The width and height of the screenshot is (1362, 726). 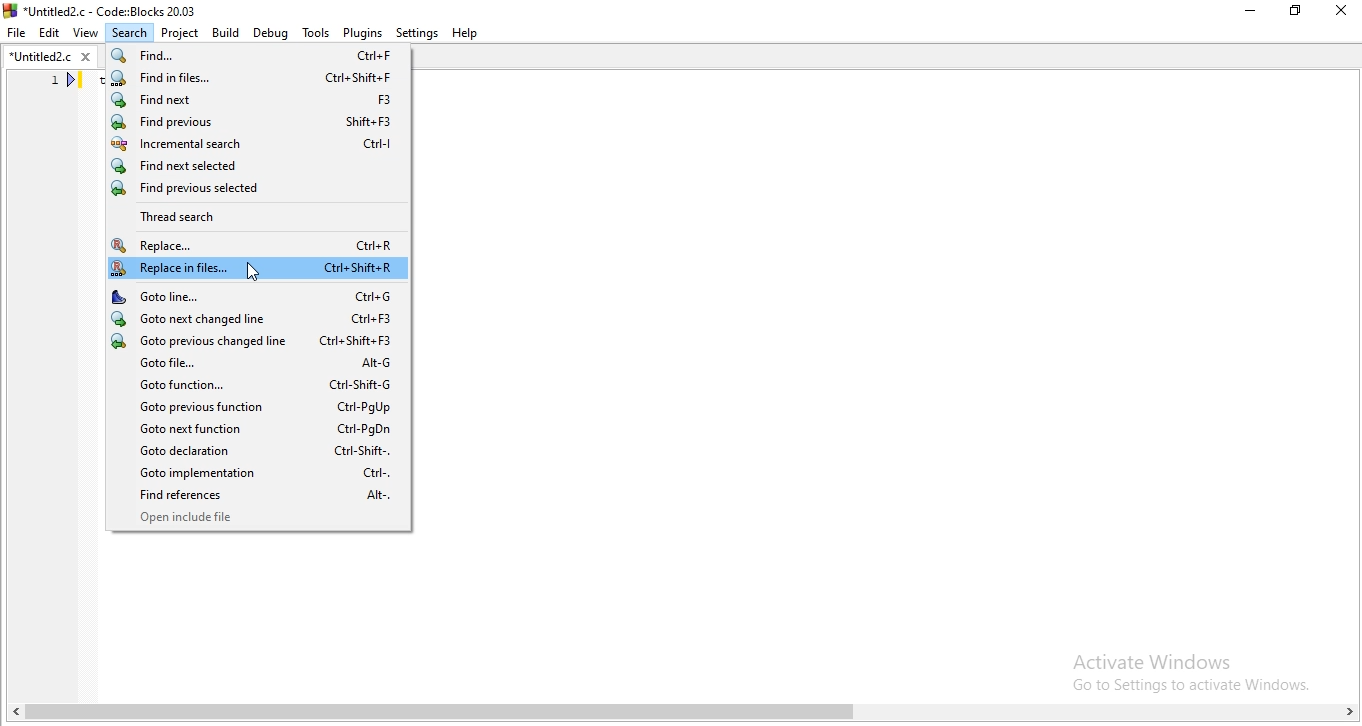 I want to click on Replace in files.., so click(x=255, y=270).